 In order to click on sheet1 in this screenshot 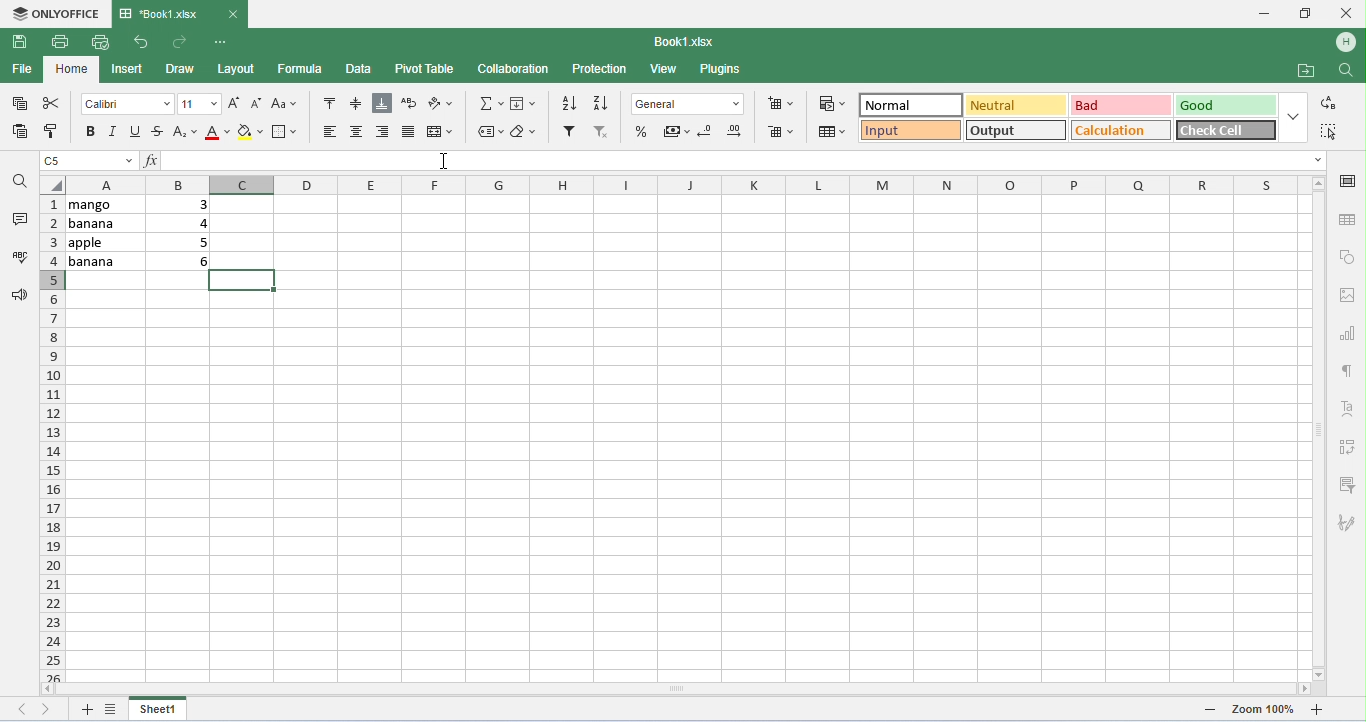, I will do `click(160, 708)`.